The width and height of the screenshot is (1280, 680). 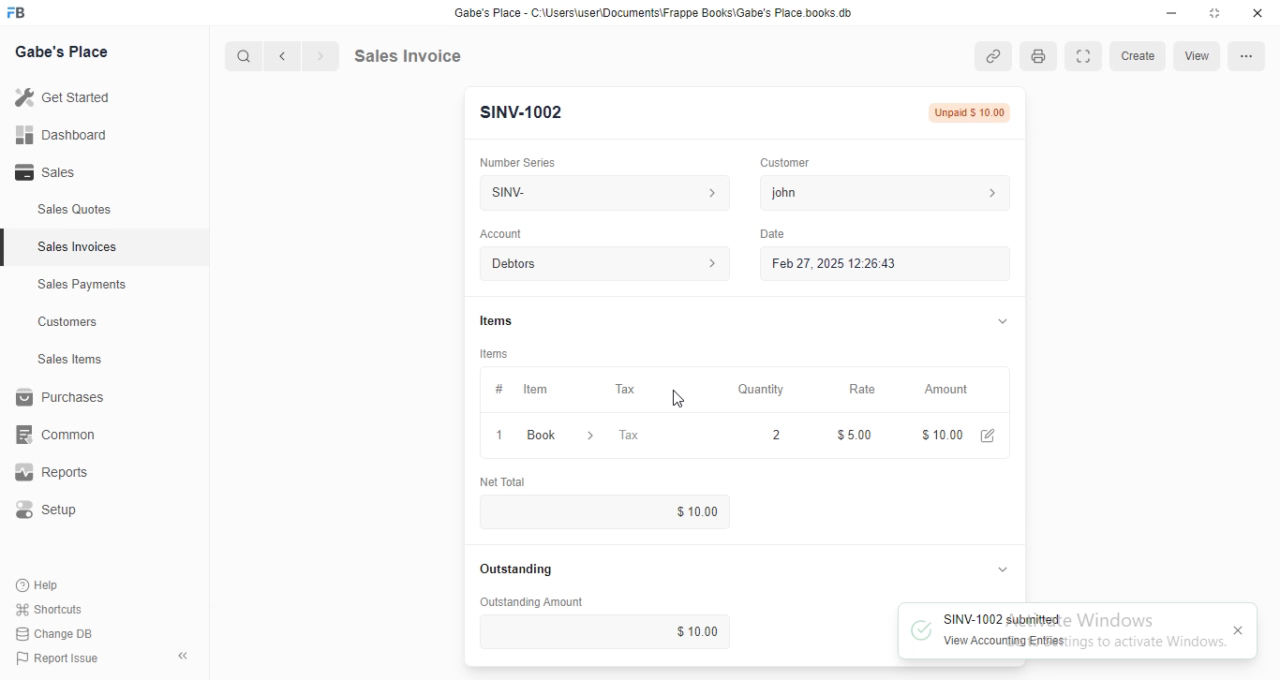 What do you see at coordinates (656, 436) in the screenshot?
I see `Tax` at bounding box center [656, 436].